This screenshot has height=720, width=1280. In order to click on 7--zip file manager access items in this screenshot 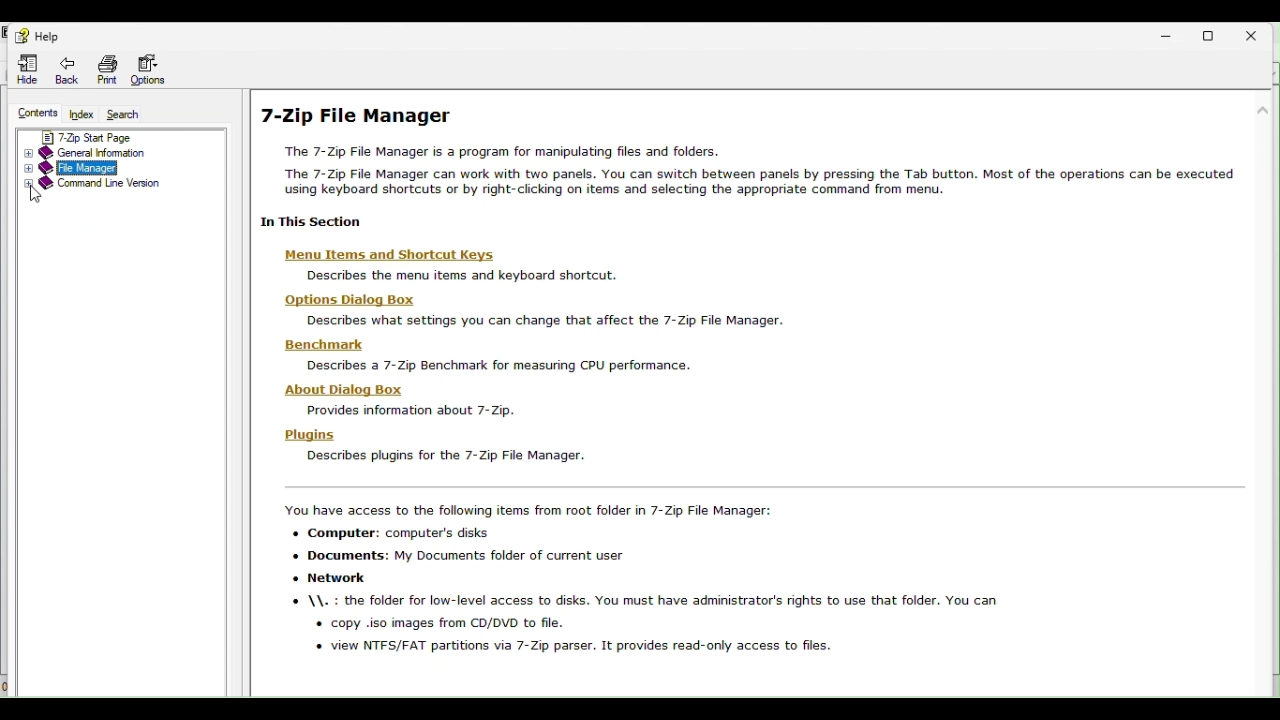, I will do `click(762, 583)`.